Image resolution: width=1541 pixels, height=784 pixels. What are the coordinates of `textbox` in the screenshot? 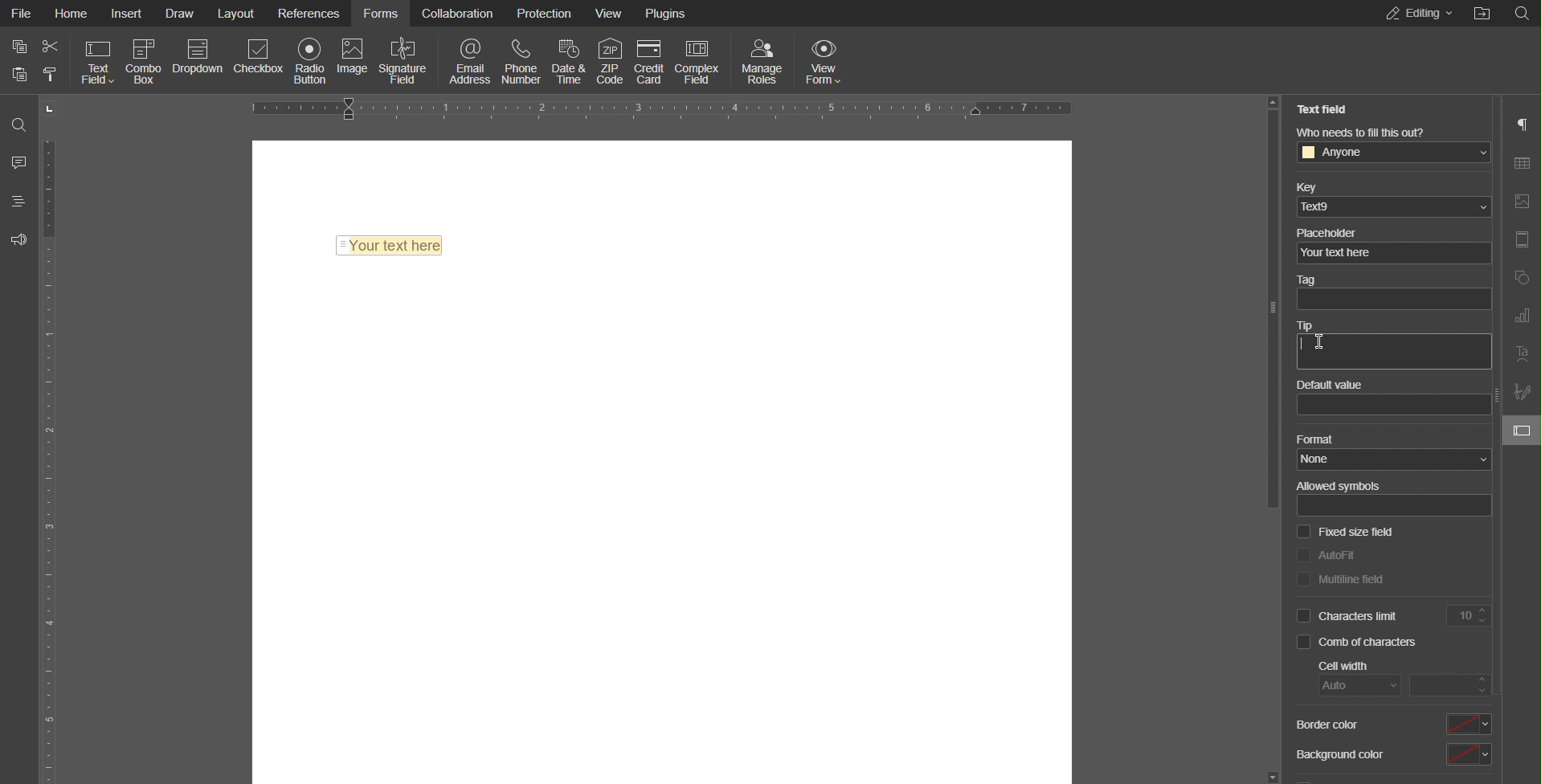 It's located at (1390, 300).